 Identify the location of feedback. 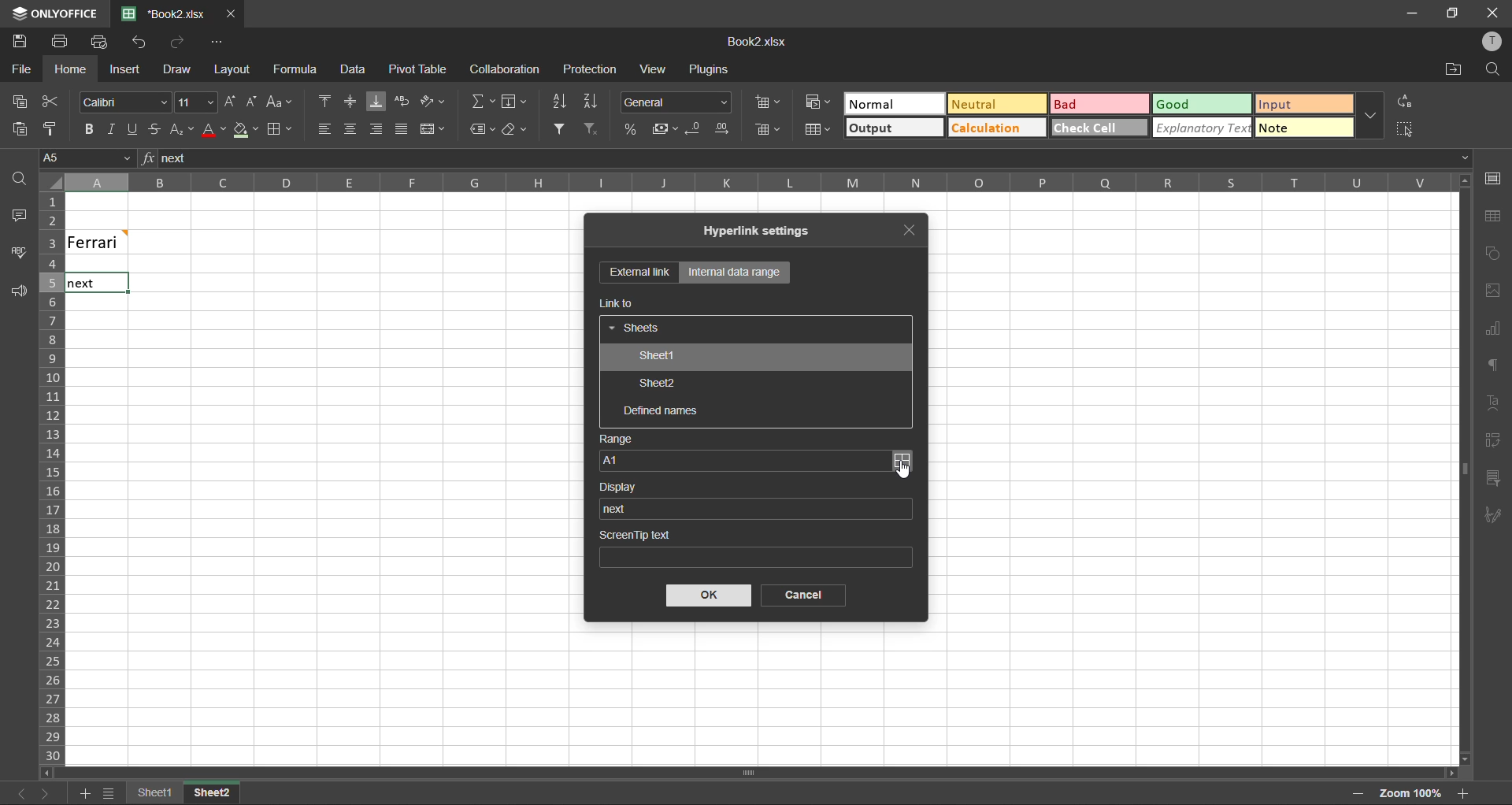
(21, 295).